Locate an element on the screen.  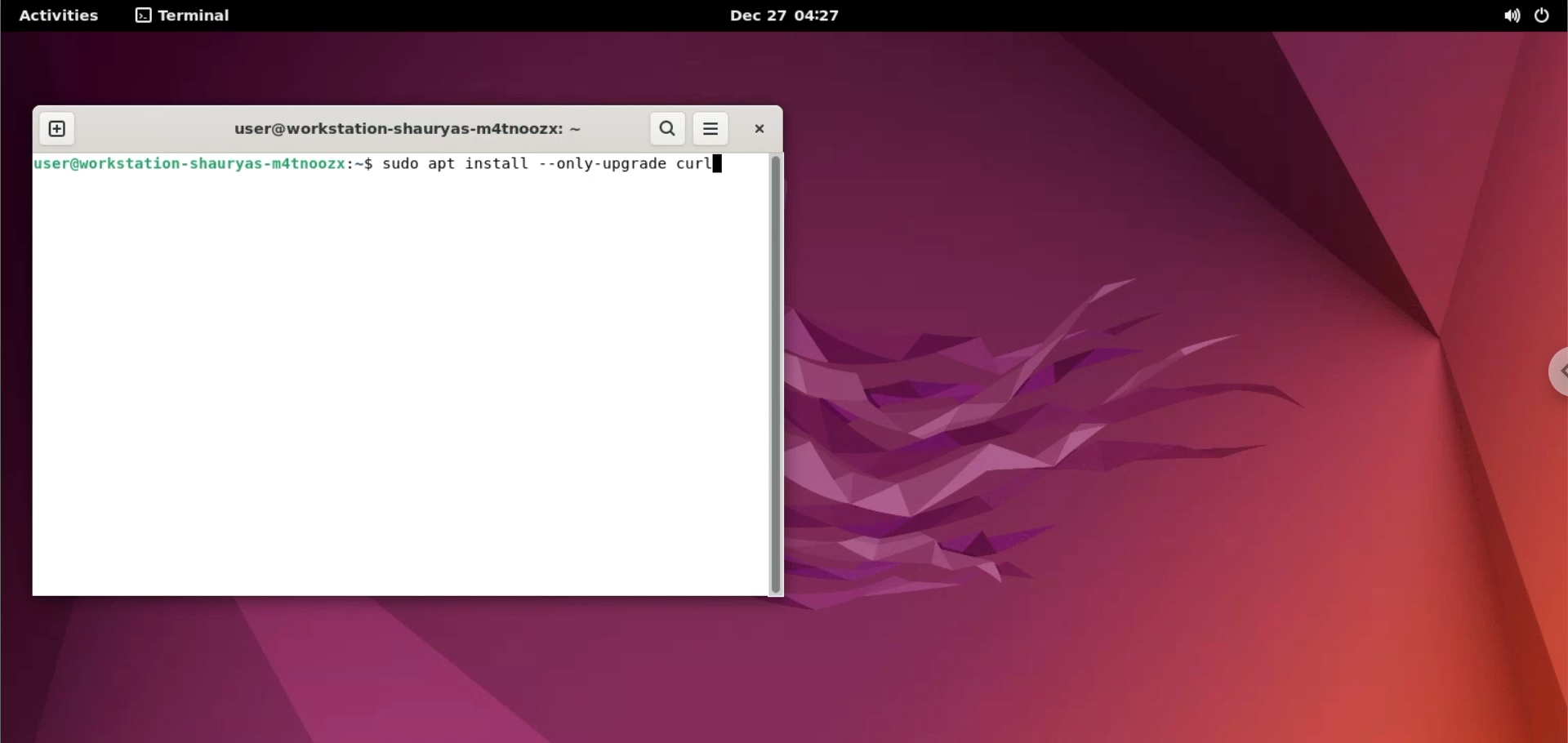
close is located at coordinates (753, 128).